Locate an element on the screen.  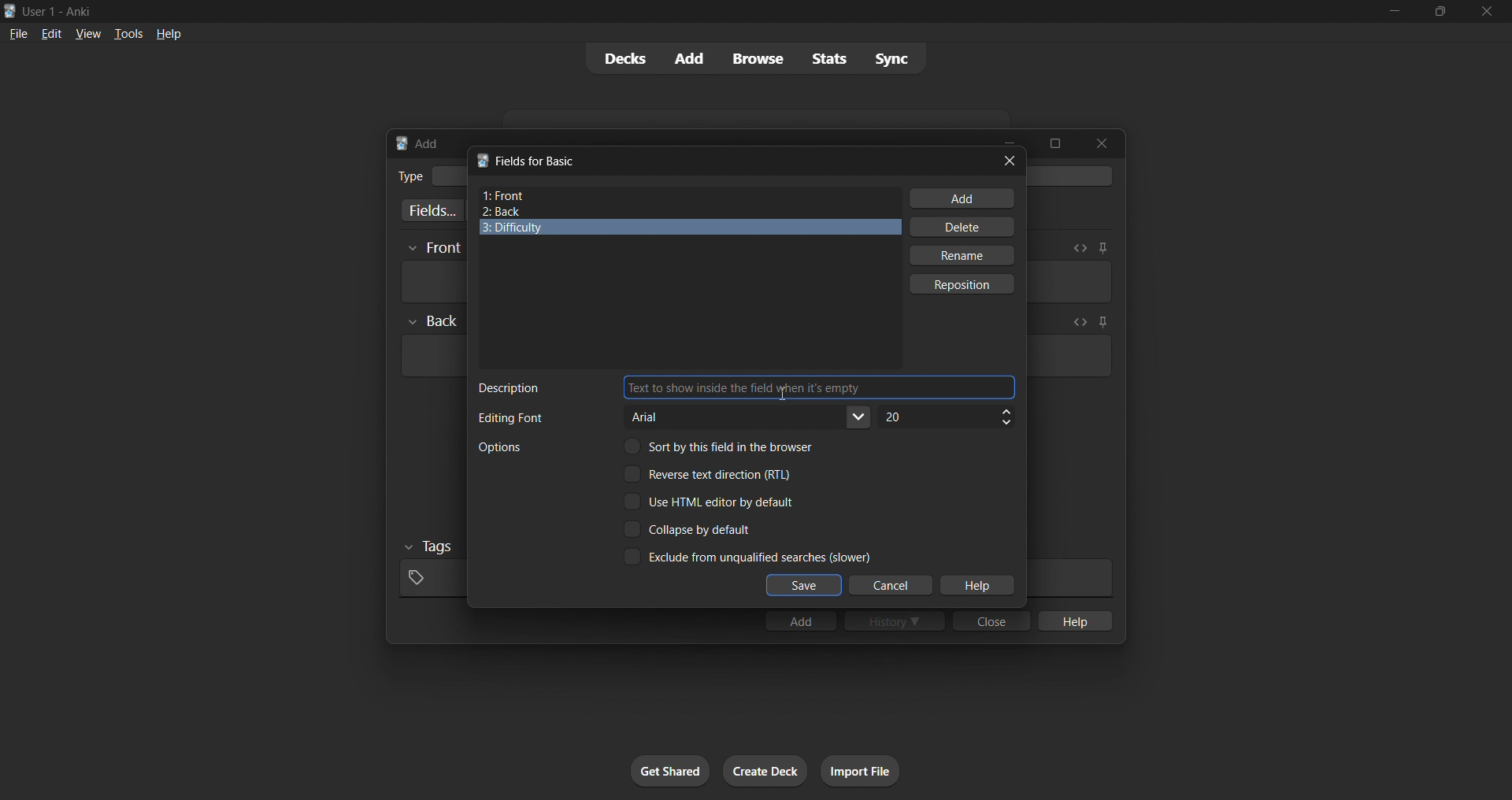
tools is located at coordinates (127, 33).